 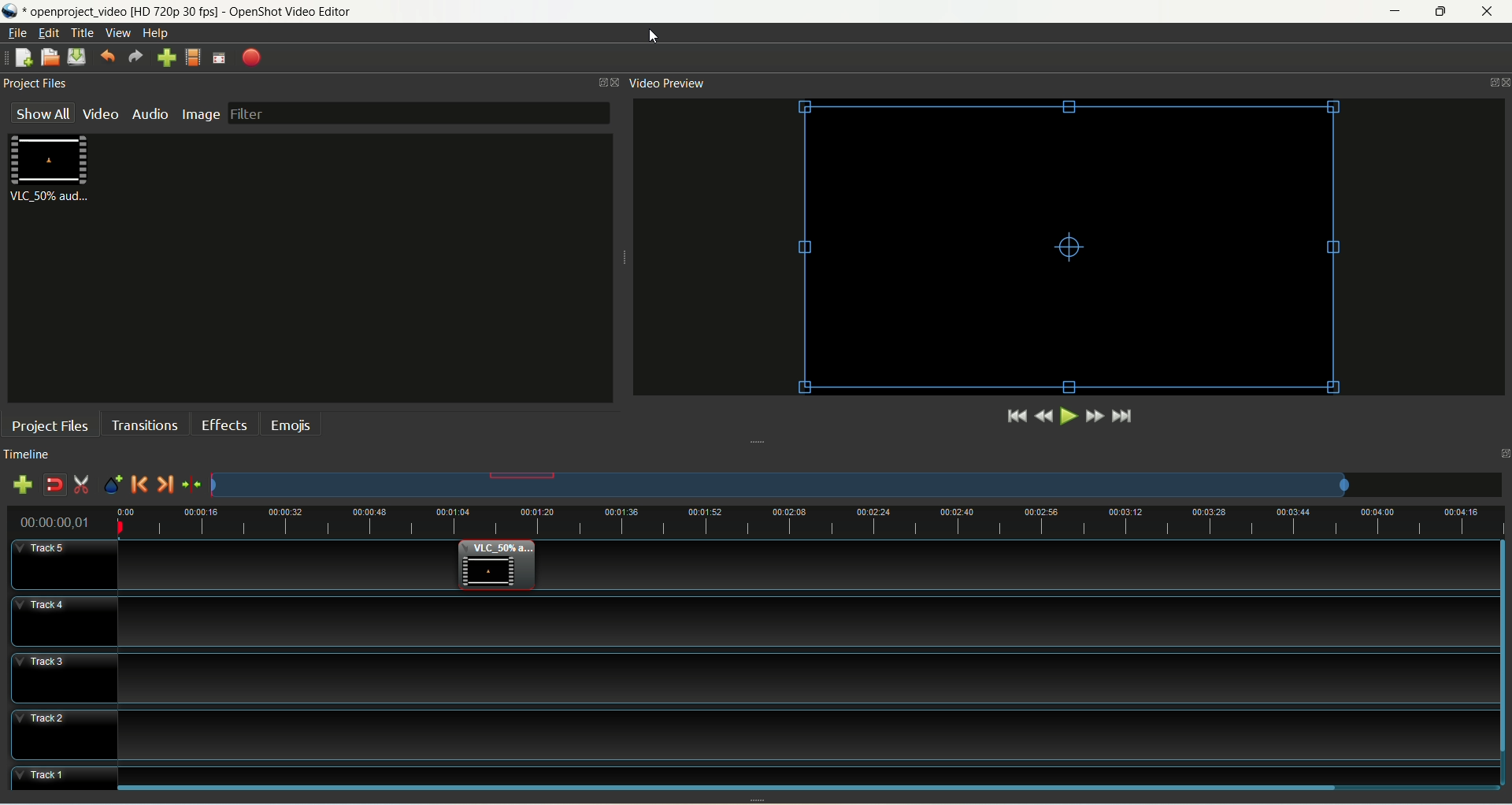 What do you see at coordinates (1487, 12) in the screenshot?
I see `close` at bounding box center [1487, 12].